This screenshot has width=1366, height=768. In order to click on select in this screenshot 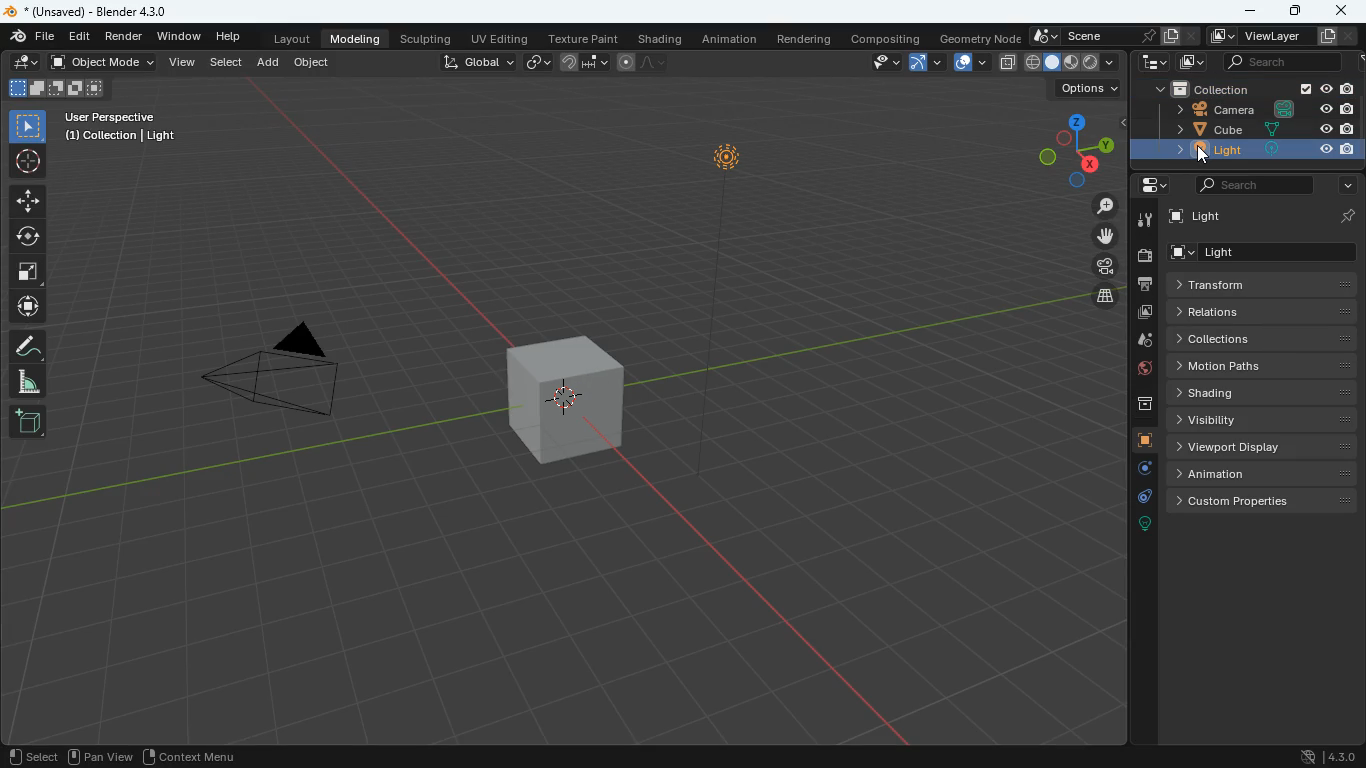, I will do `click(226, 63)`.